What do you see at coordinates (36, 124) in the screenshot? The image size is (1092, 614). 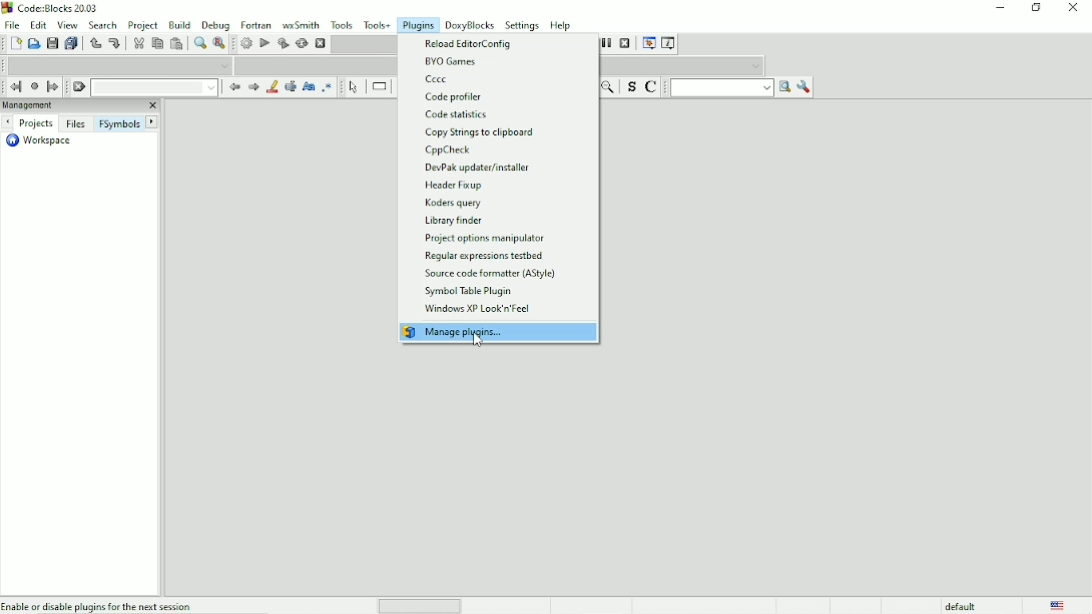 I see `Projects` at bounding box center [36, 124].